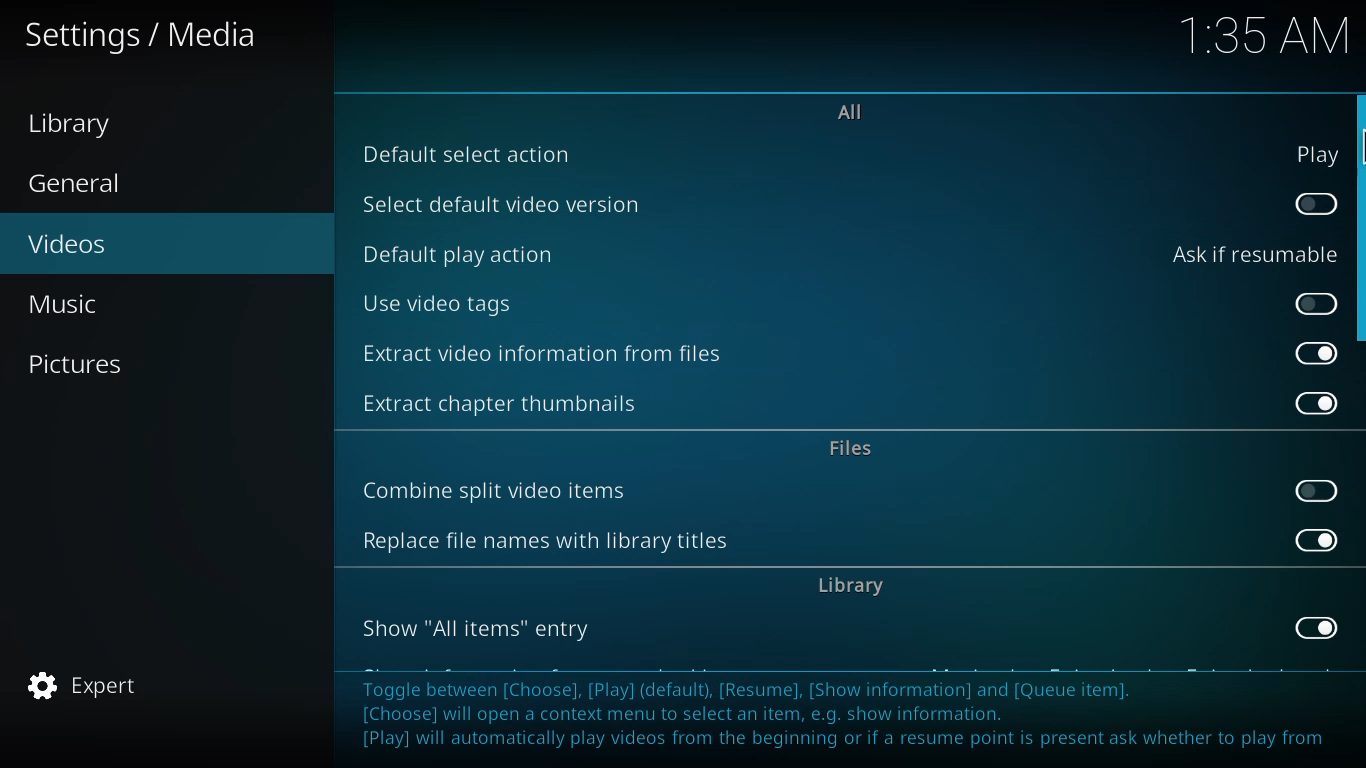 This screenshot has height=768, width=1366. I want to click on enabled, so click(1316, 627).